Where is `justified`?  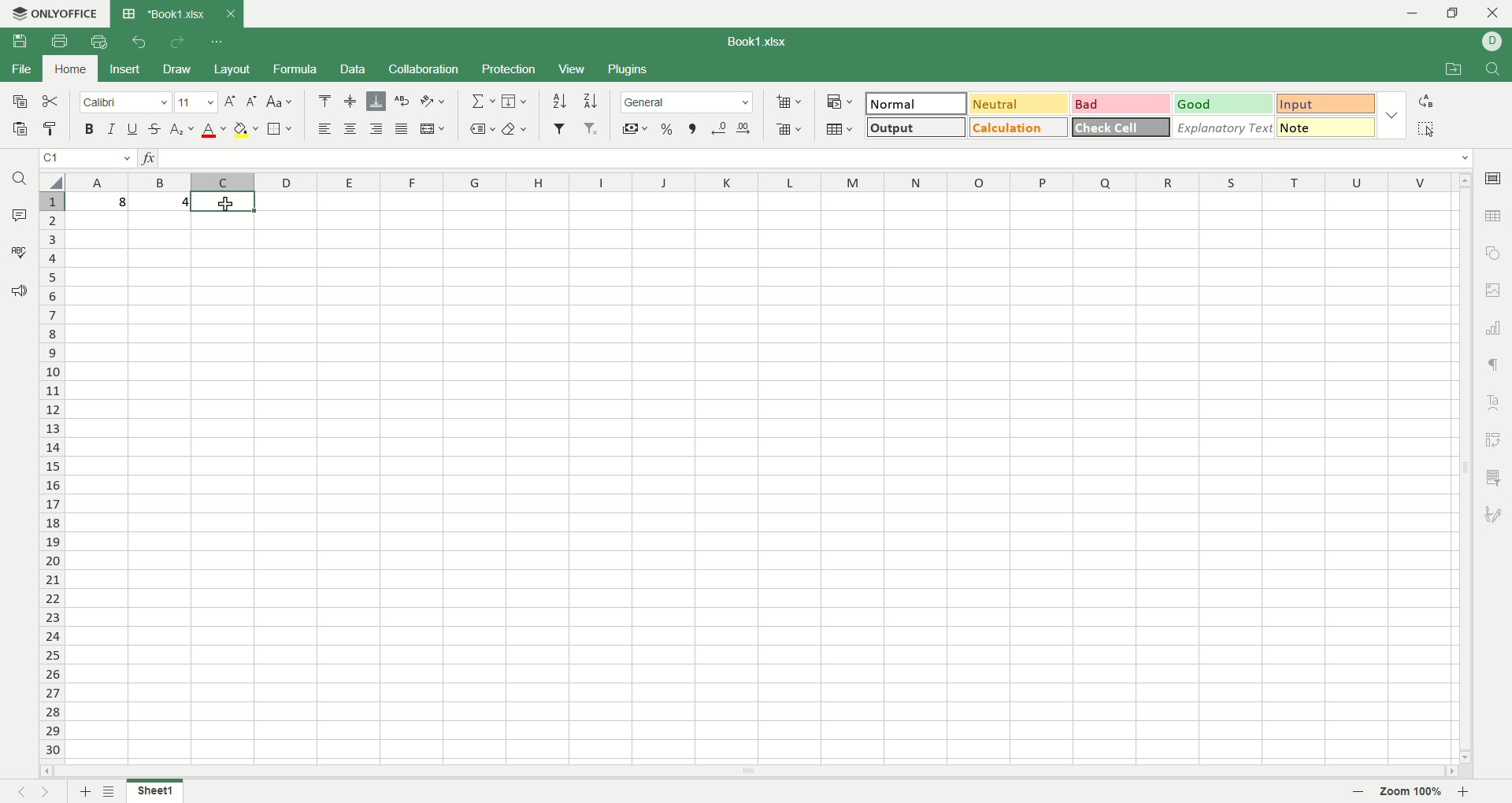 justified is located at coordinates (403, 129).